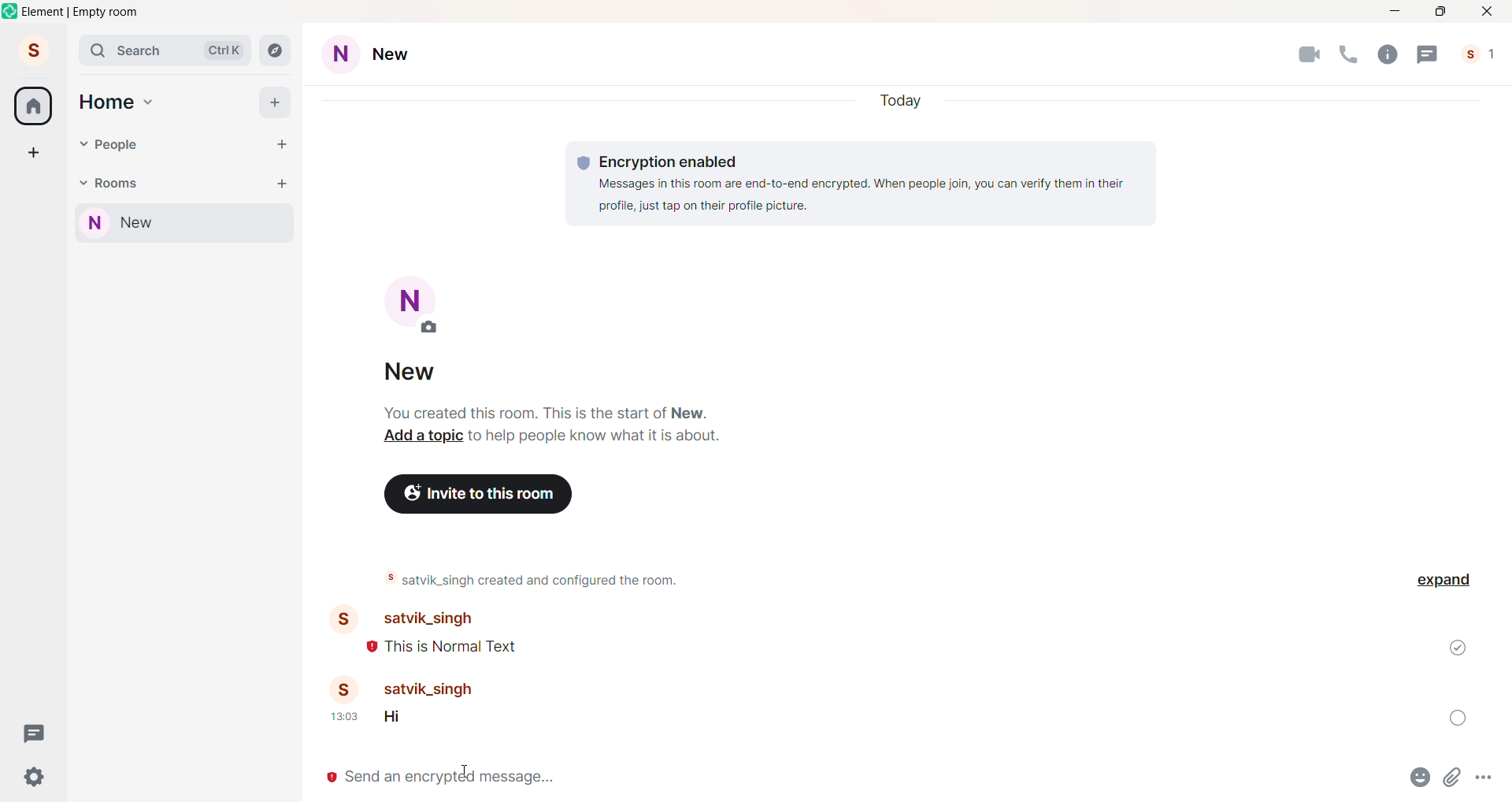 The width and height of the screenshot is (1512, 802). Describe the element at coordinates (1309, 56) in the screenshot. I see `Video Call` at that location.